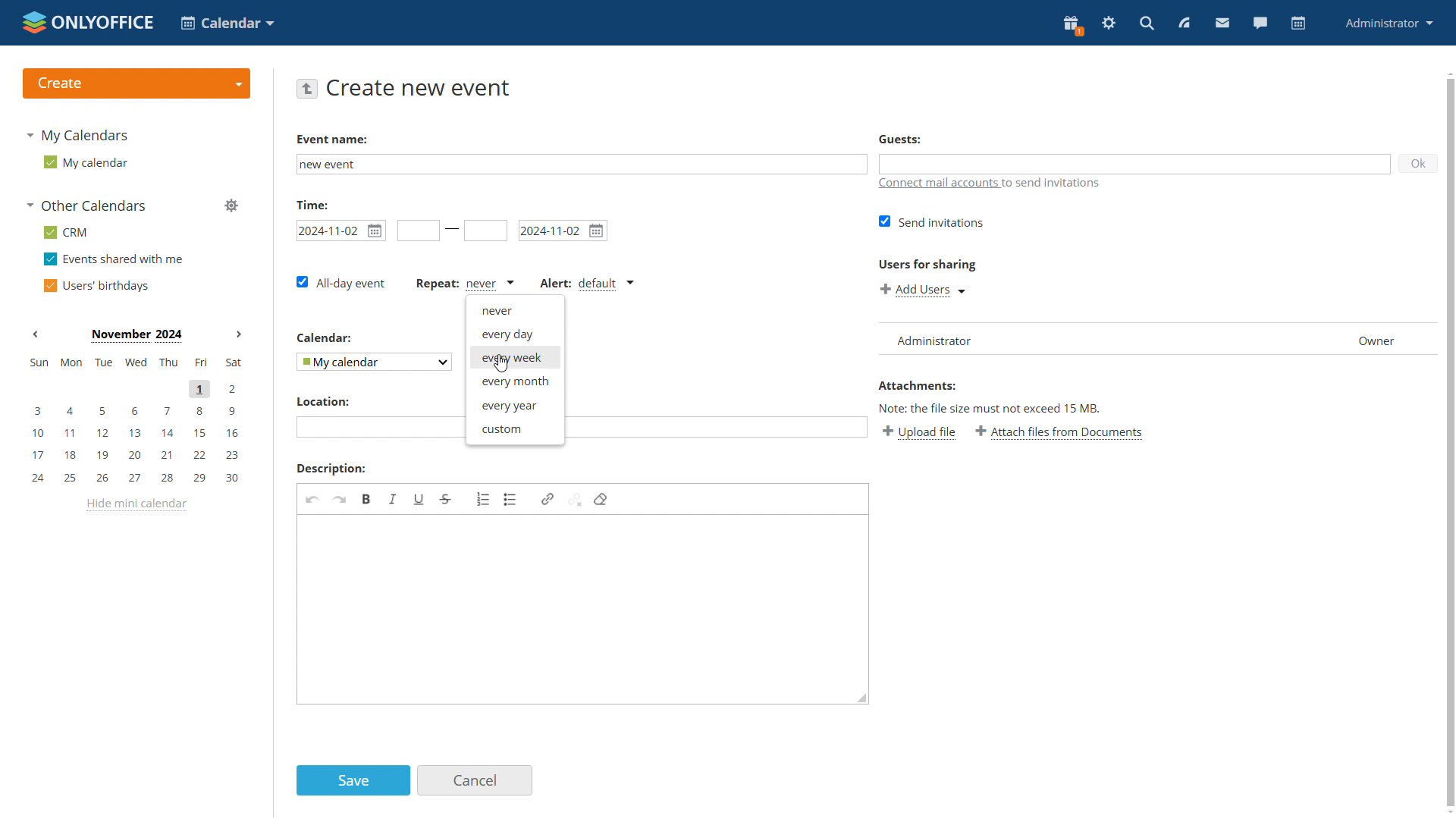 The width and height of the screenshot is (1456, 819). I want to click on administrator, so click(1390, 22).